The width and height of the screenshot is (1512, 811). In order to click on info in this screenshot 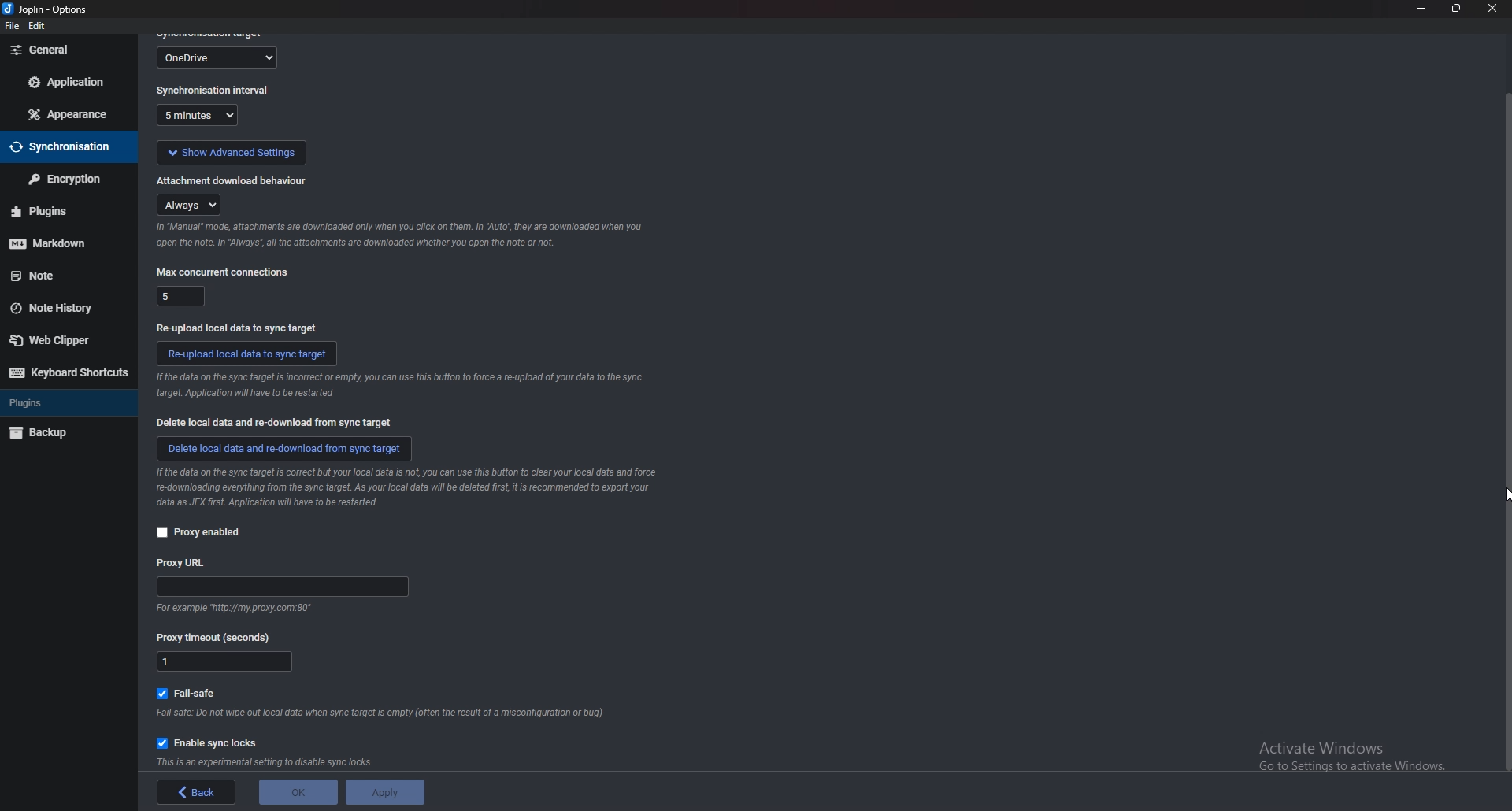, I will do `click(417, 487)`.